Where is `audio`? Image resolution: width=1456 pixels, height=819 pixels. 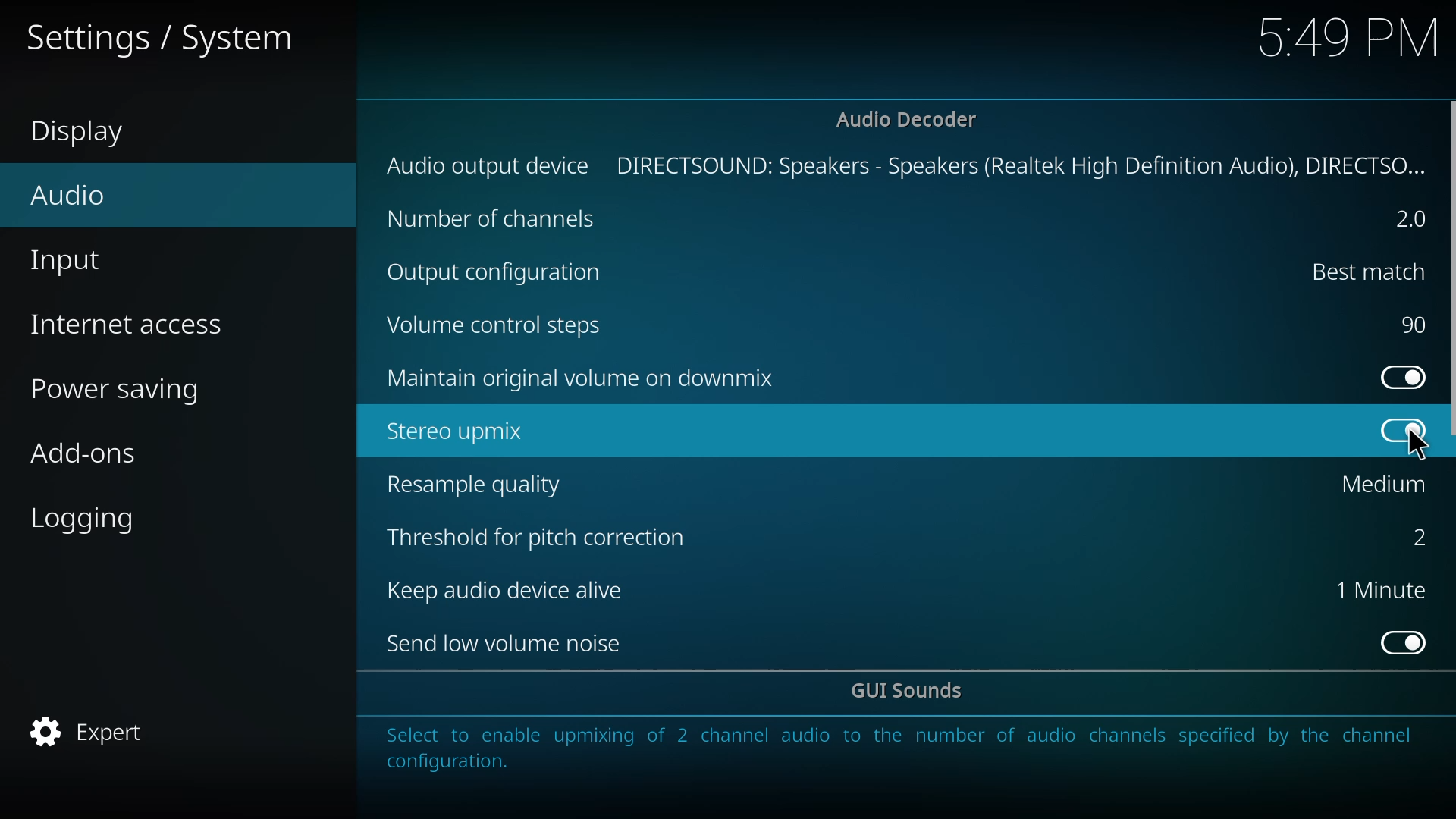
audio is located at coordinates (67, 196).